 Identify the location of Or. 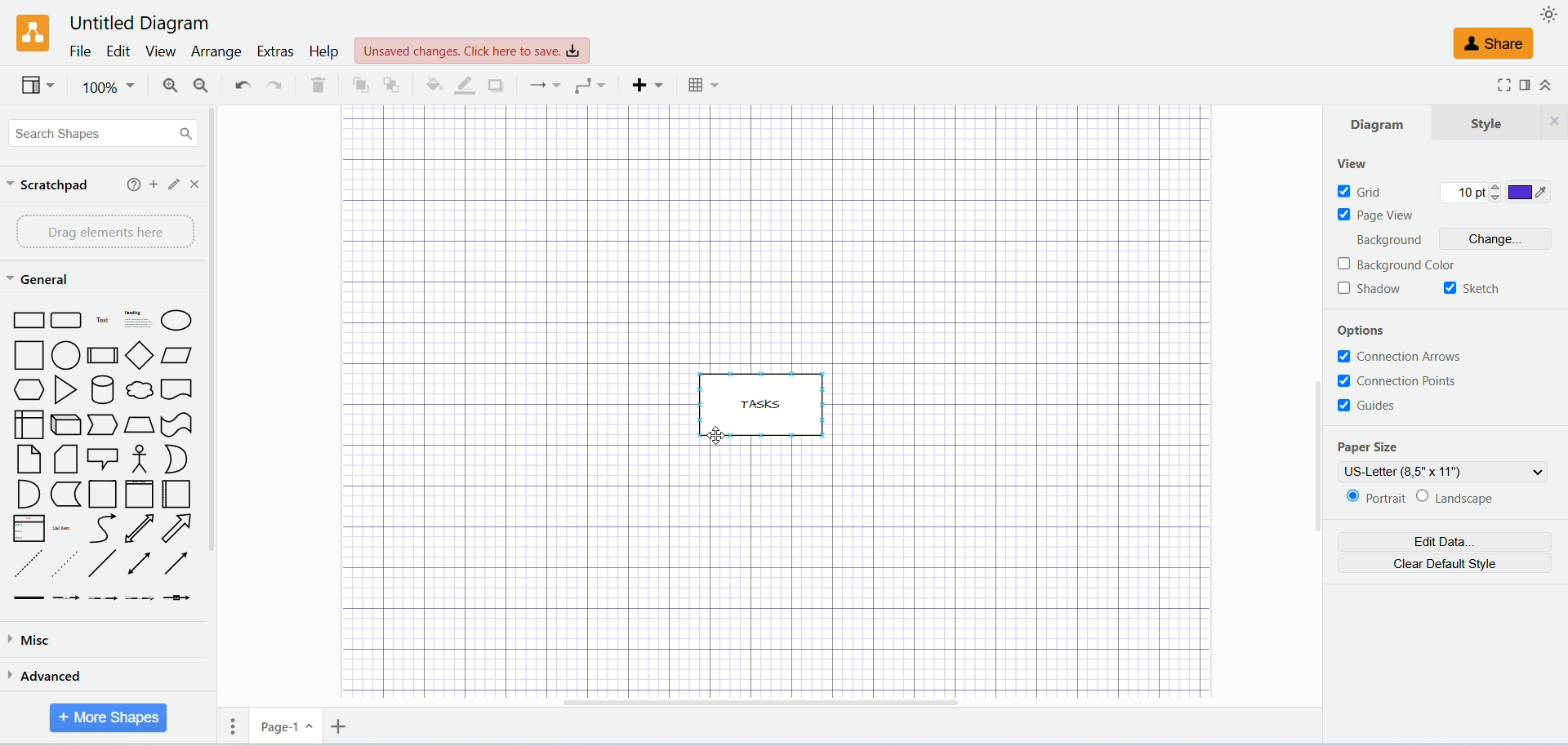
(174, 459).